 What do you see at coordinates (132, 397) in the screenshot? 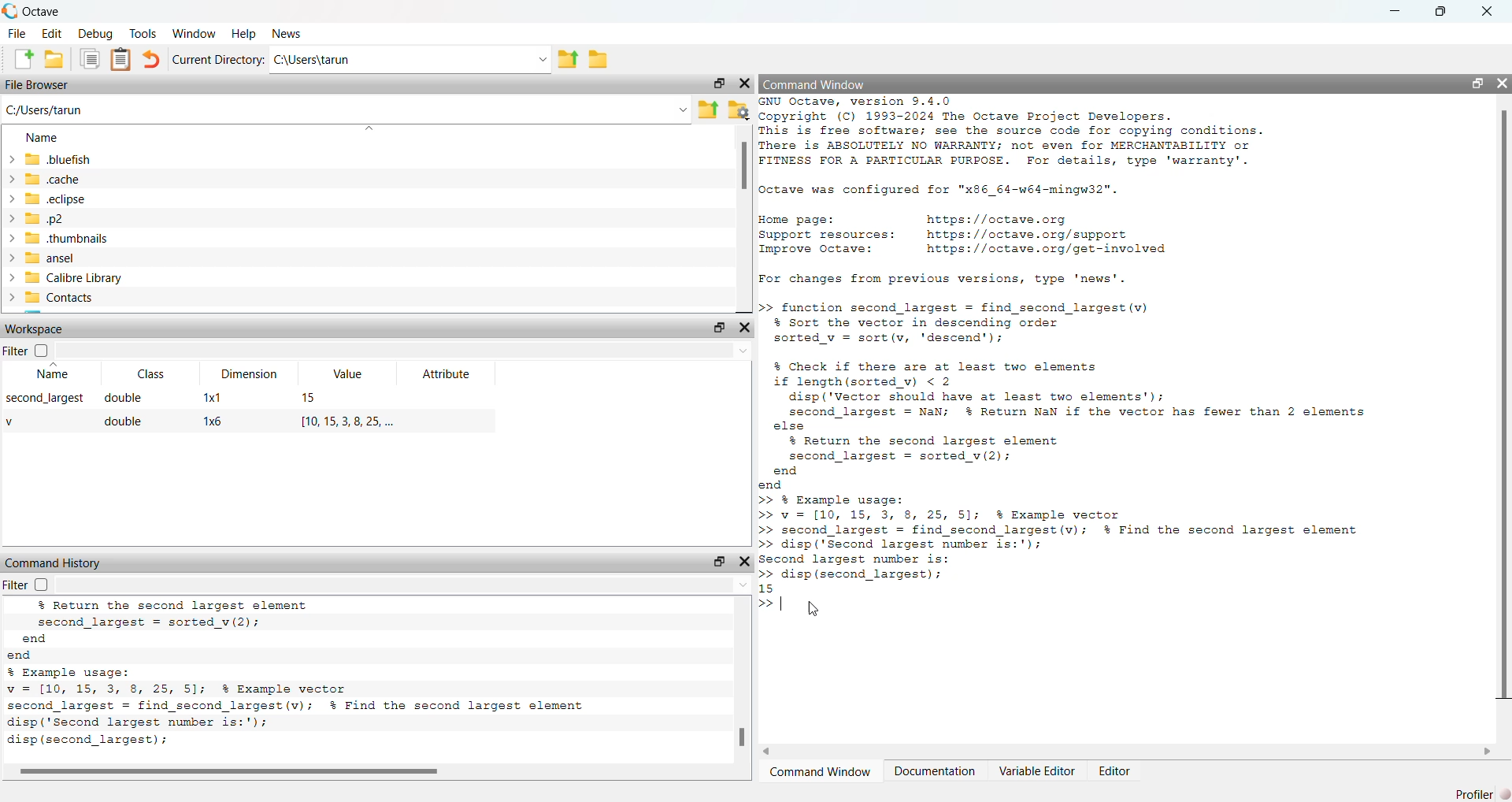
I see `double` at bounding box center [132, 397].